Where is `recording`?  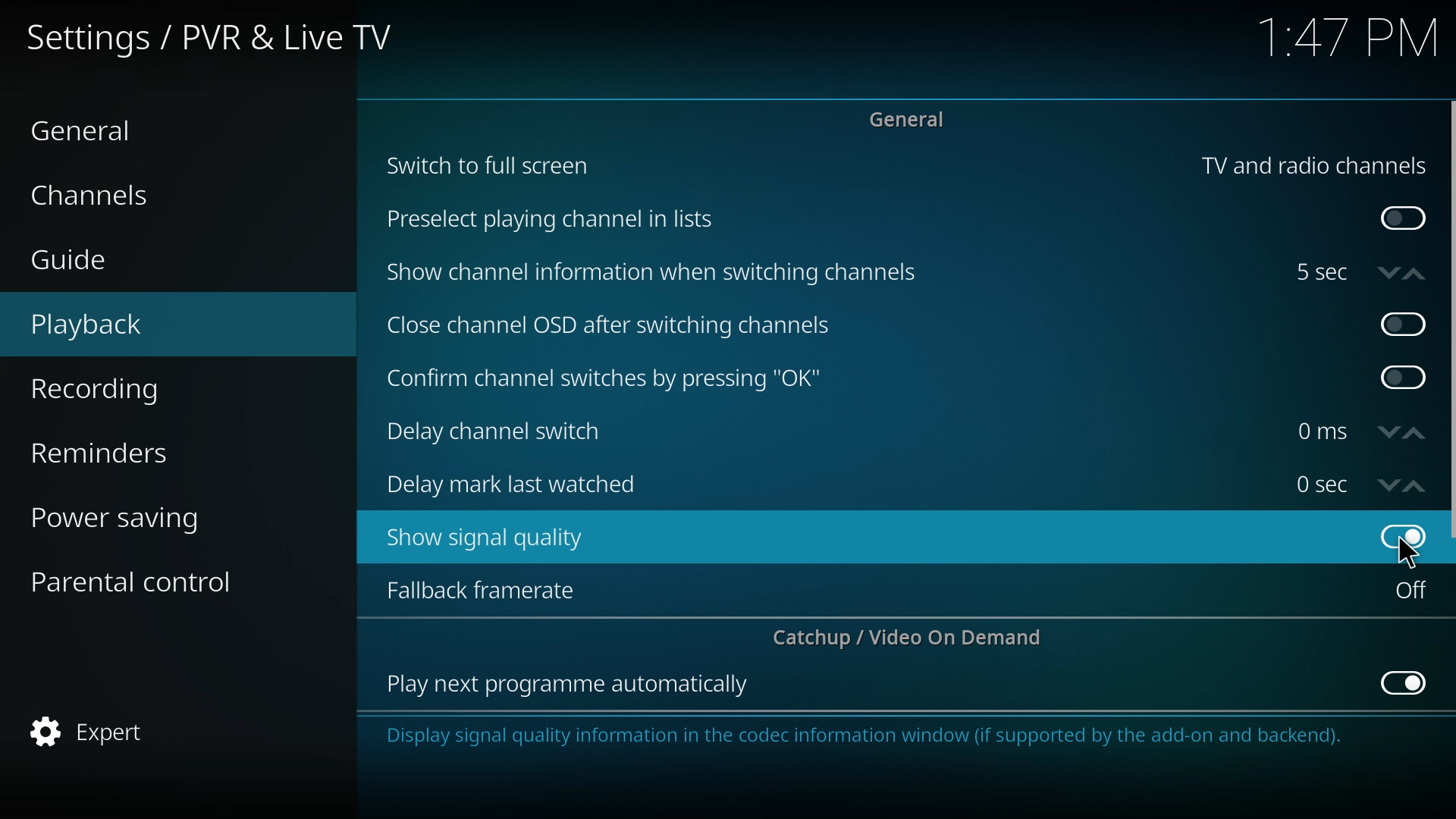
recording is located at coordinates (137, 390).